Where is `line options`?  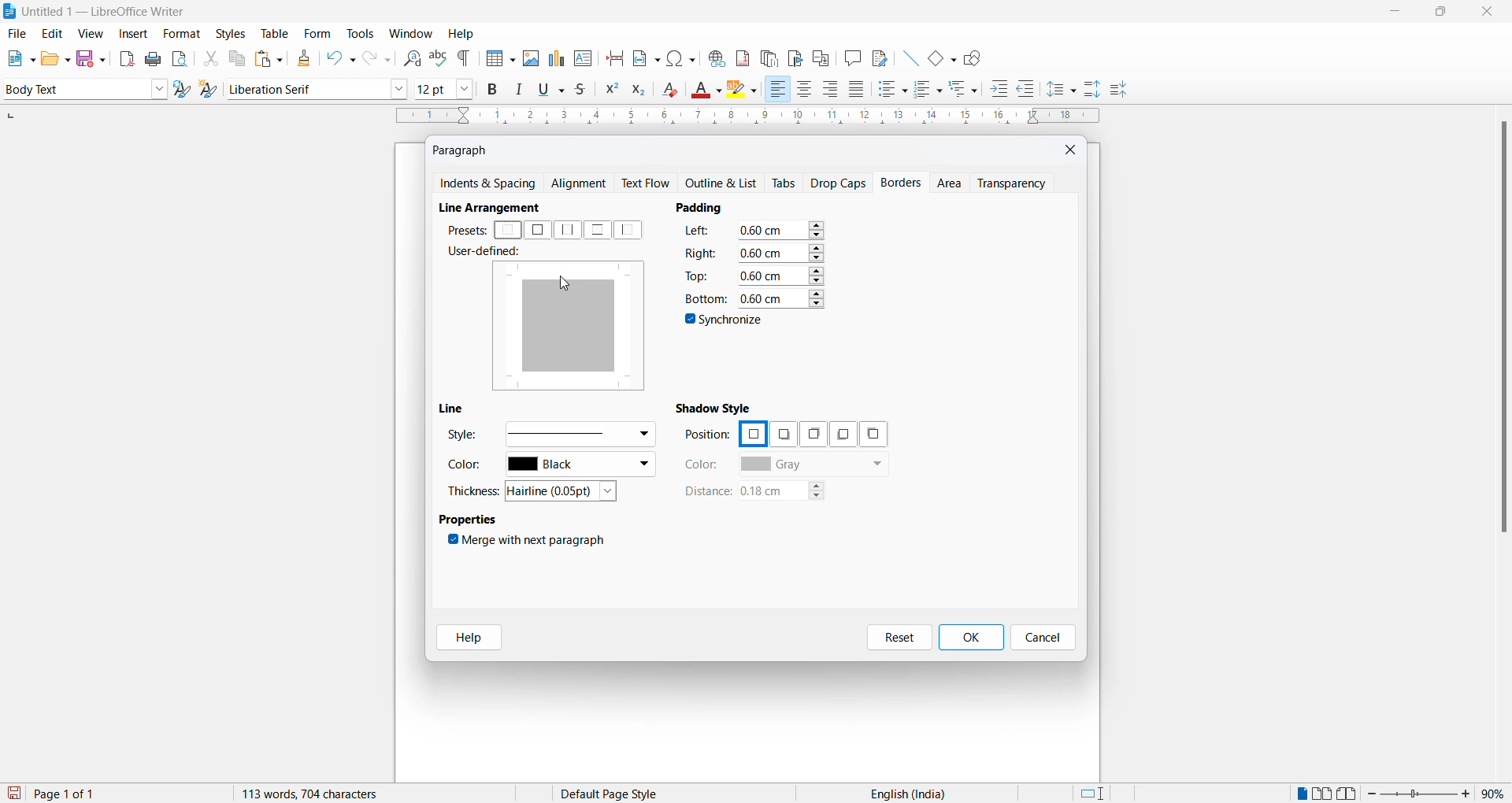
line options is located at coordinates (579, 433).